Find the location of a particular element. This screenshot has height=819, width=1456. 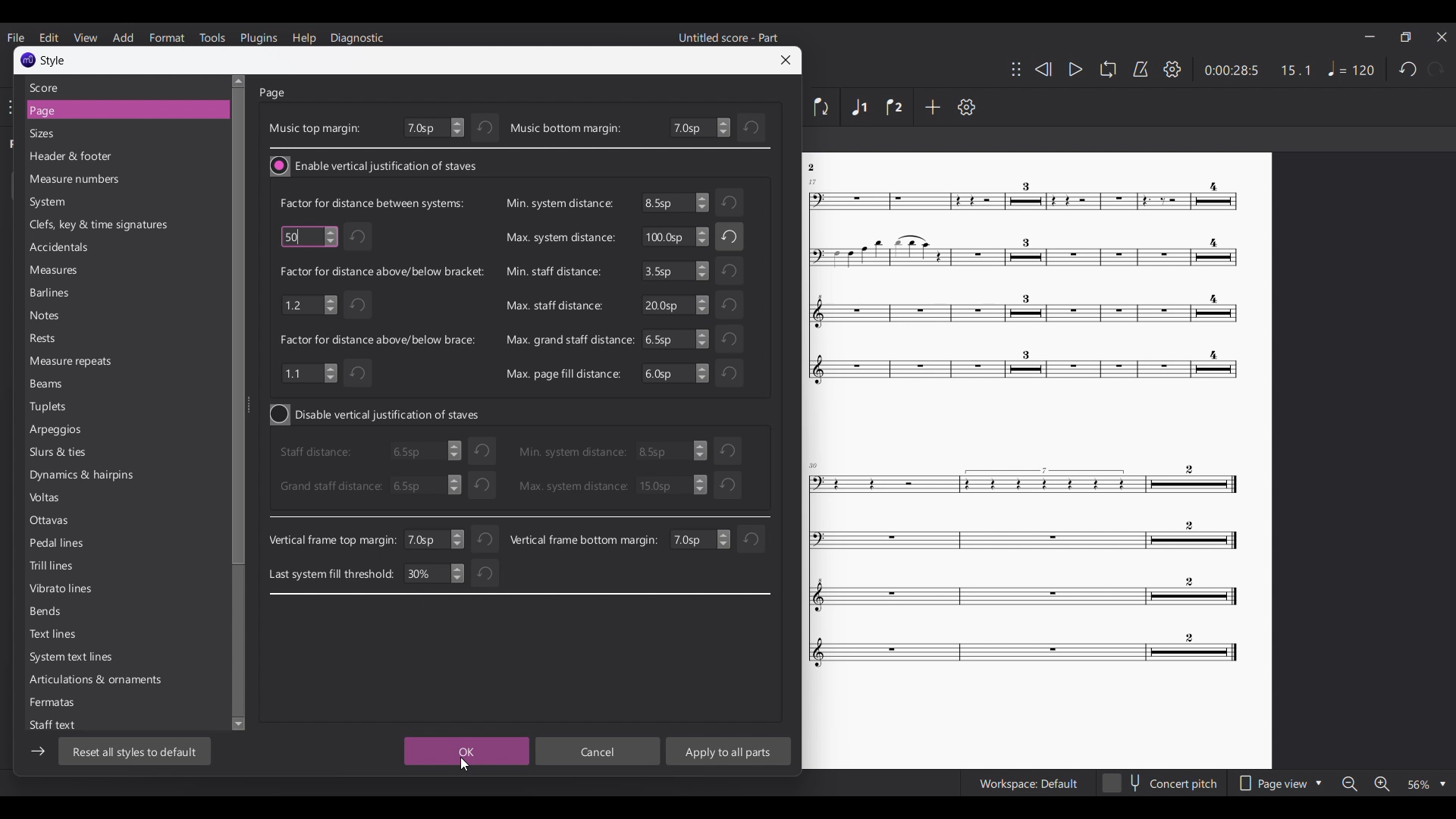

Undo is located at coordinates (730, 271).